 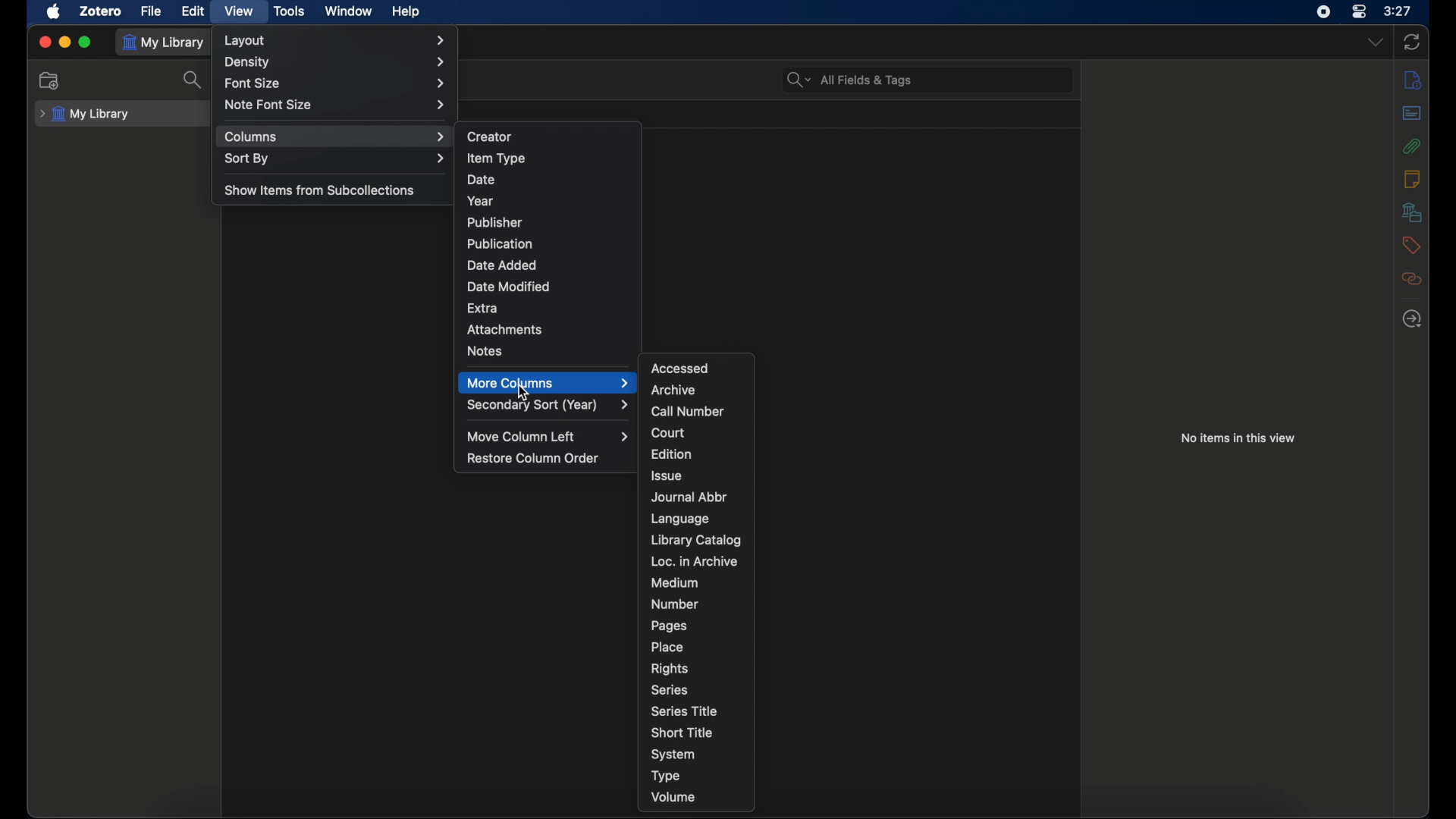 What do you see at coordinates (51, 81) in the screenshot?
I see `new collection` at bounding box center [51, 81].